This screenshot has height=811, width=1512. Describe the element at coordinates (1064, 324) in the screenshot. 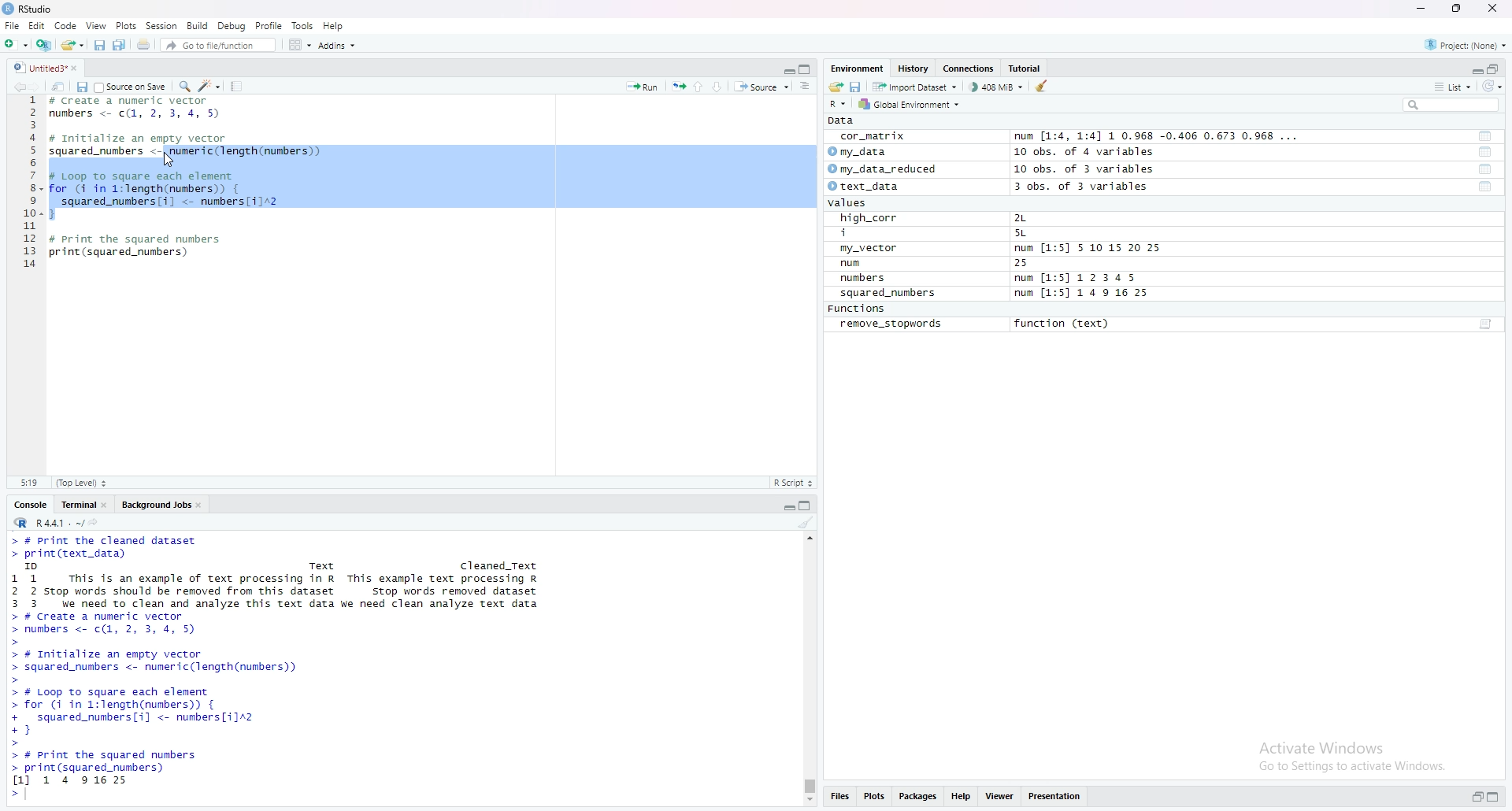

I see `function (text)` at that location.